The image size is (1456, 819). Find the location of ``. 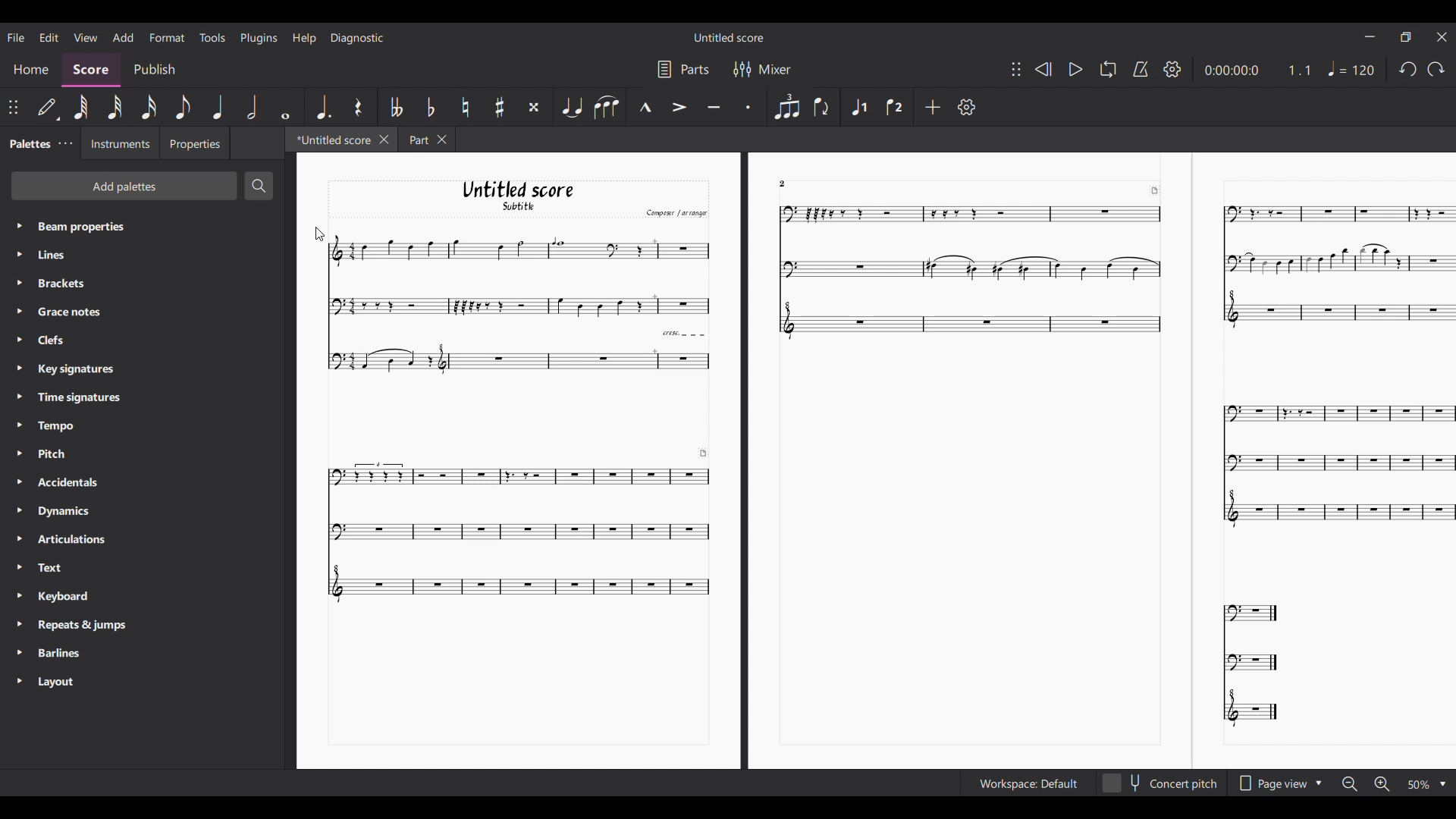

 is located at coordinates (1250, 613).